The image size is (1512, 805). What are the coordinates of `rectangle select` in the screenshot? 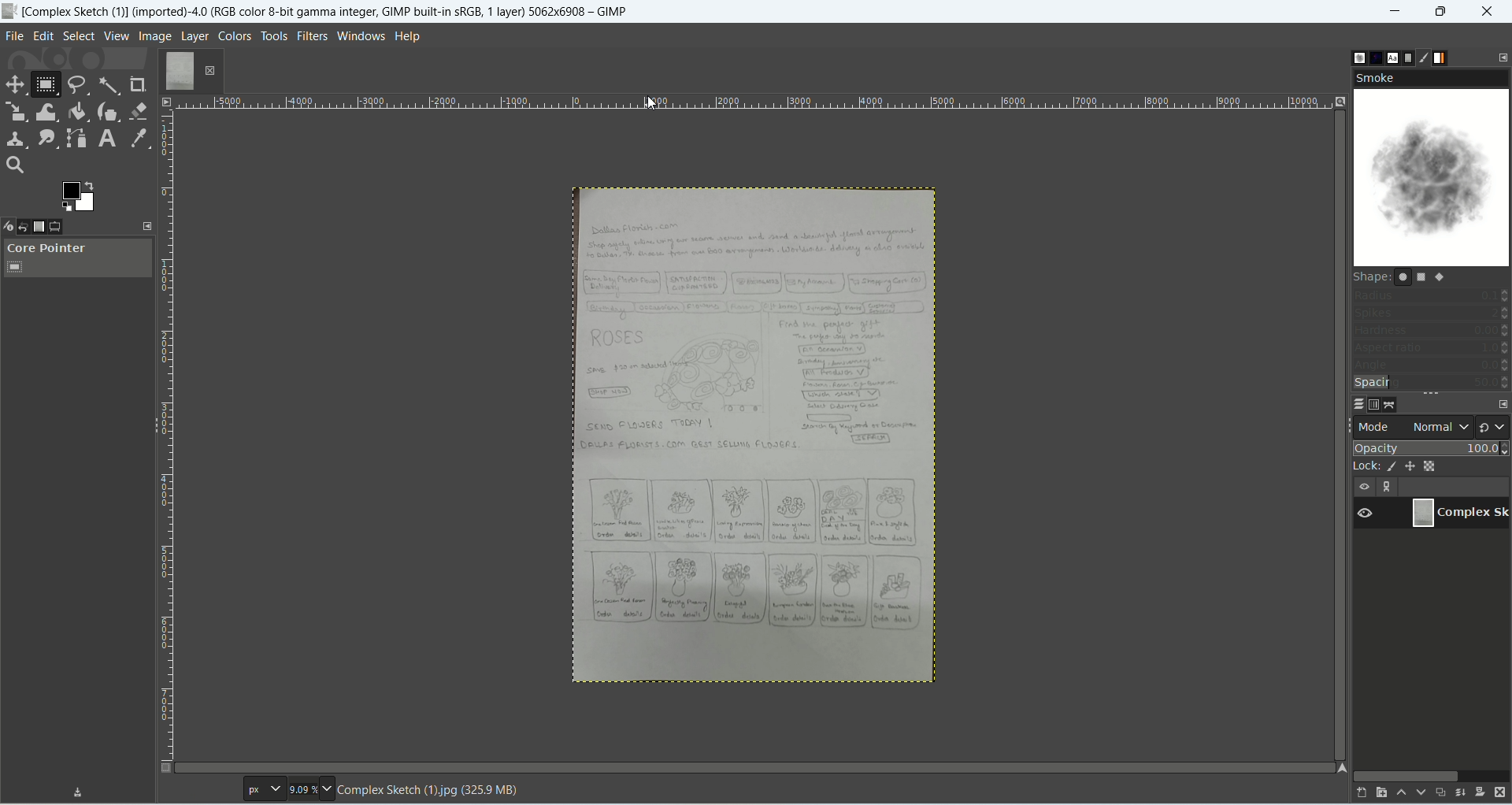 It's located at (47, 83).